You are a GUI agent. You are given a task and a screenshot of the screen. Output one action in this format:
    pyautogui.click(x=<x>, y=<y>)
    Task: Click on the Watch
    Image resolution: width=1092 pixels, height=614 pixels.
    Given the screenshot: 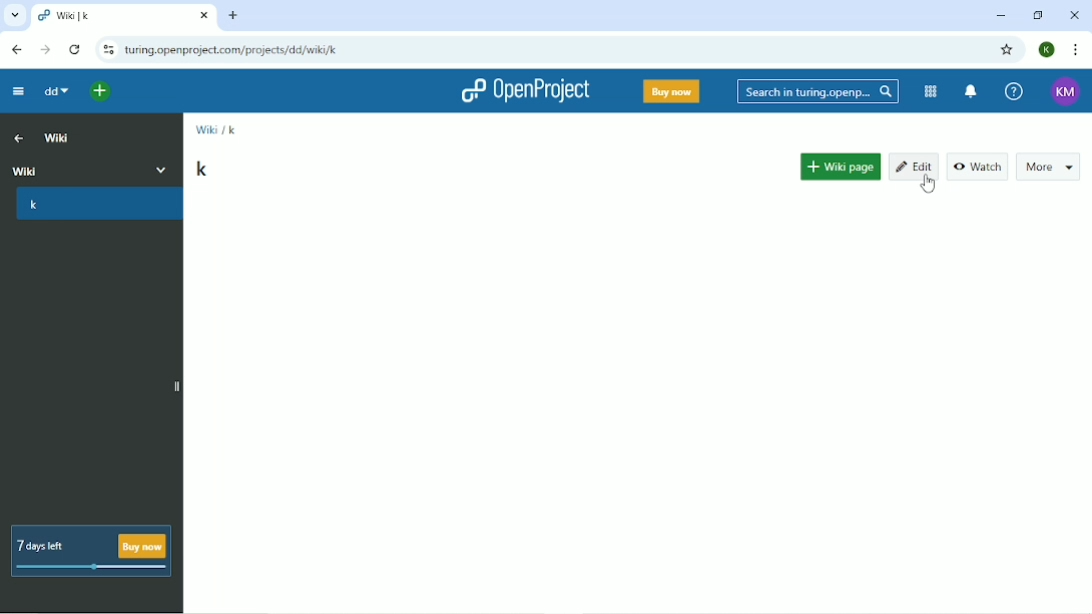 What is the action you would take?
    pyautogui.click(x=978, y=163)
    